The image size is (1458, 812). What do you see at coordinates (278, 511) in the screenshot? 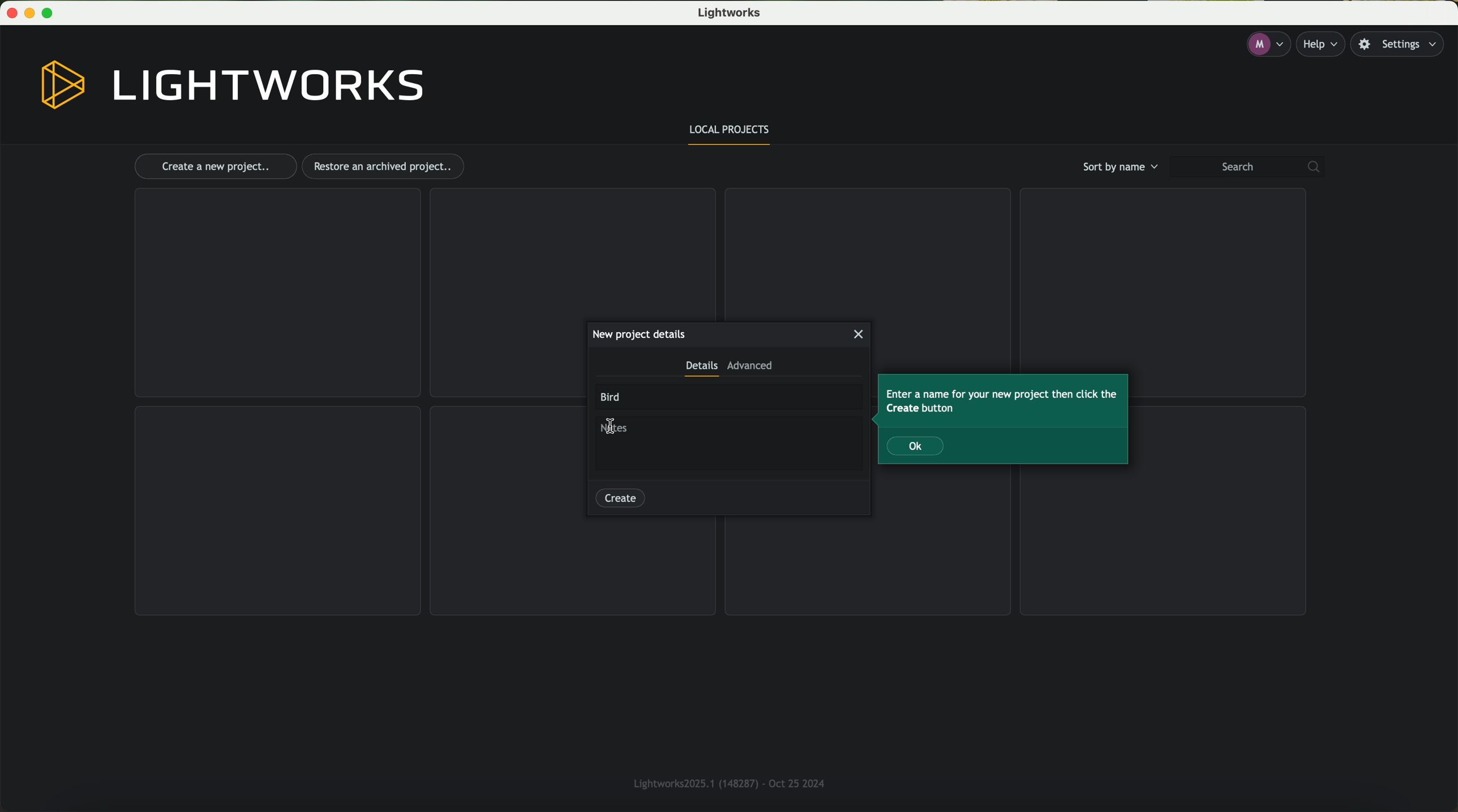
I see `grid` at bounding box center [278, 511].